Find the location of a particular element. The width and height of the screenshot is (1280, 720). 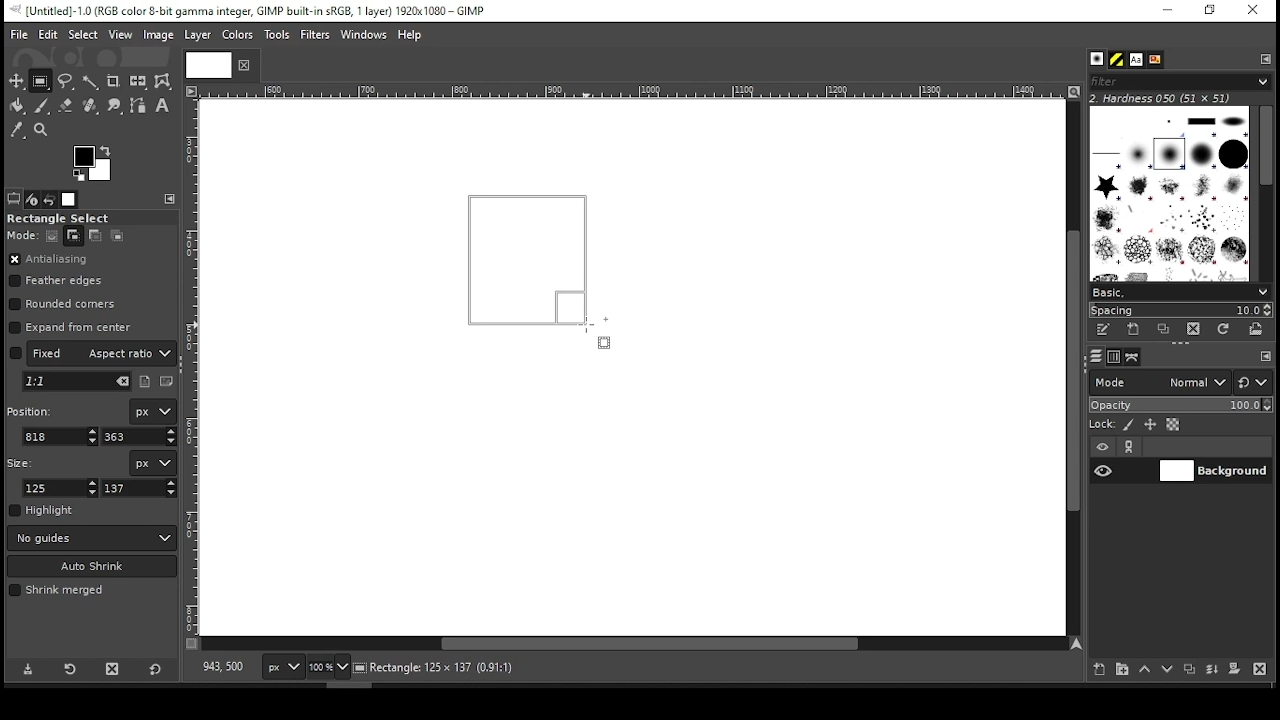

merge layer is located at coordinates (1212, 670).